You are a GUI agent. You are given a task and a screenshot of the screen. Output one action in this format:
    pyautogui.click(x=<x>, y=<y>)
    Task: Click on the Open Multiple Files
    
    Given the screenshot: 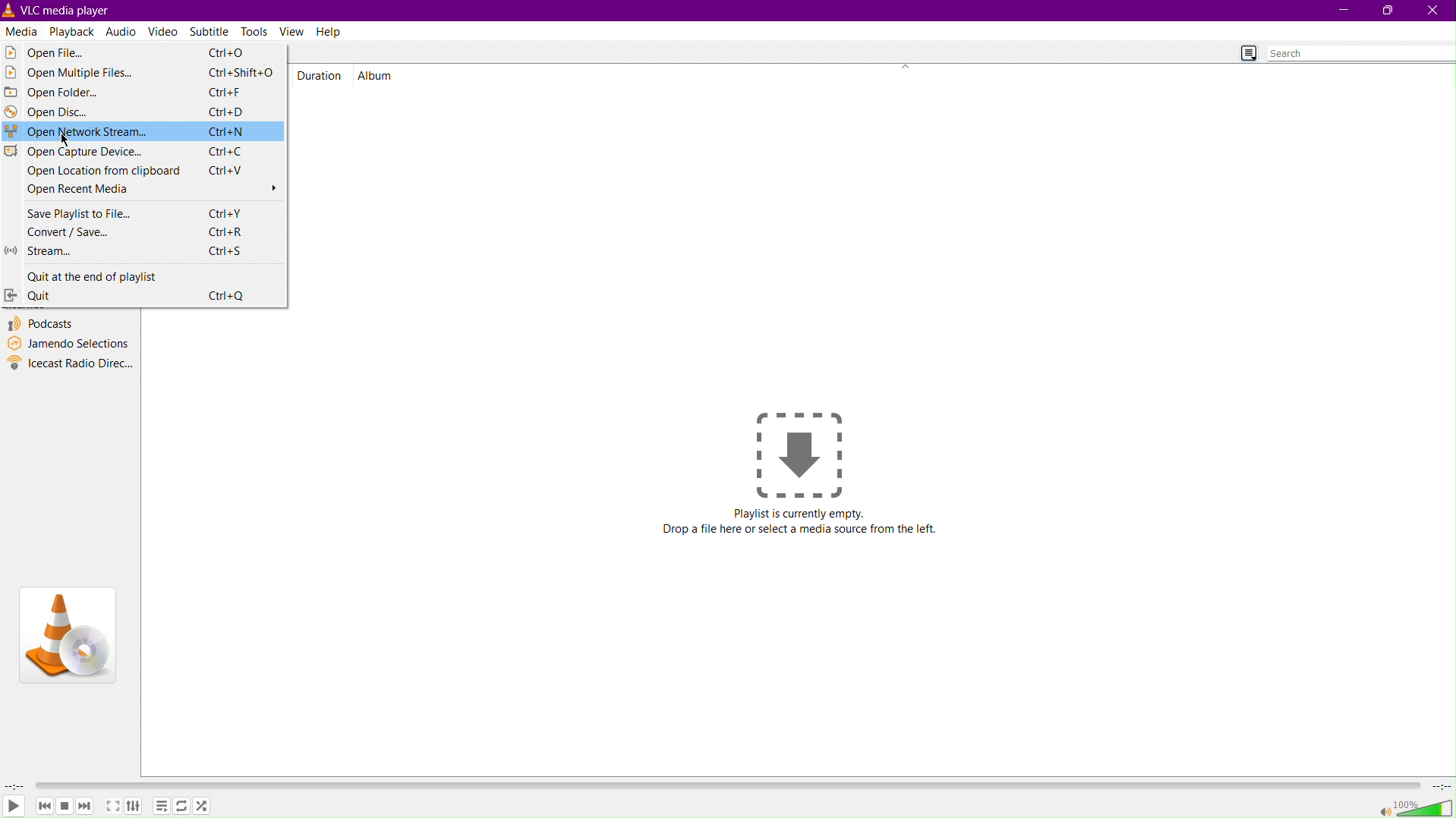 What is the action you would take?
    pyautogui.click(x=71, y=74)
    